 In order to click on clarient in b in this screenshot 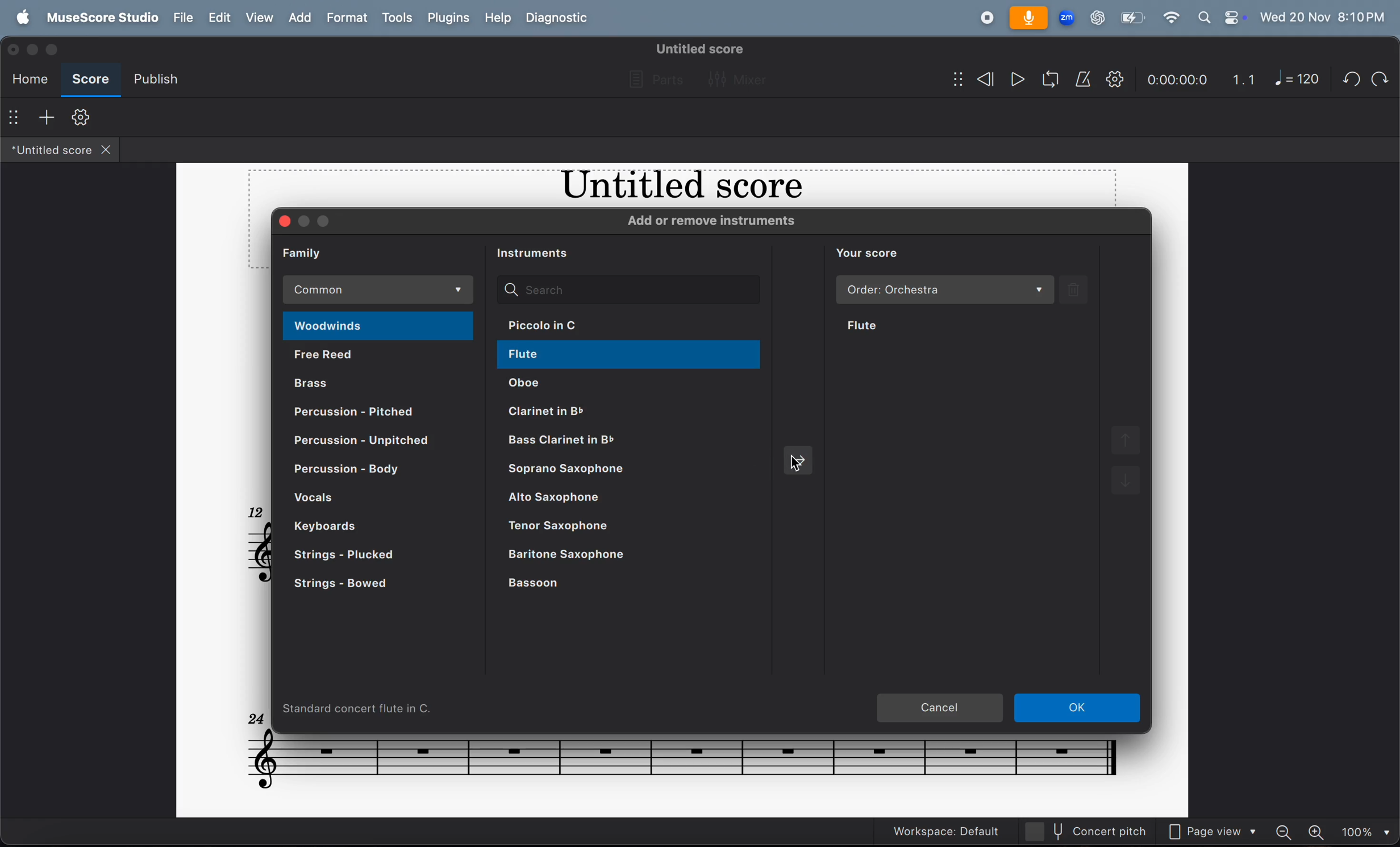, I will do `click(644, 413)`.